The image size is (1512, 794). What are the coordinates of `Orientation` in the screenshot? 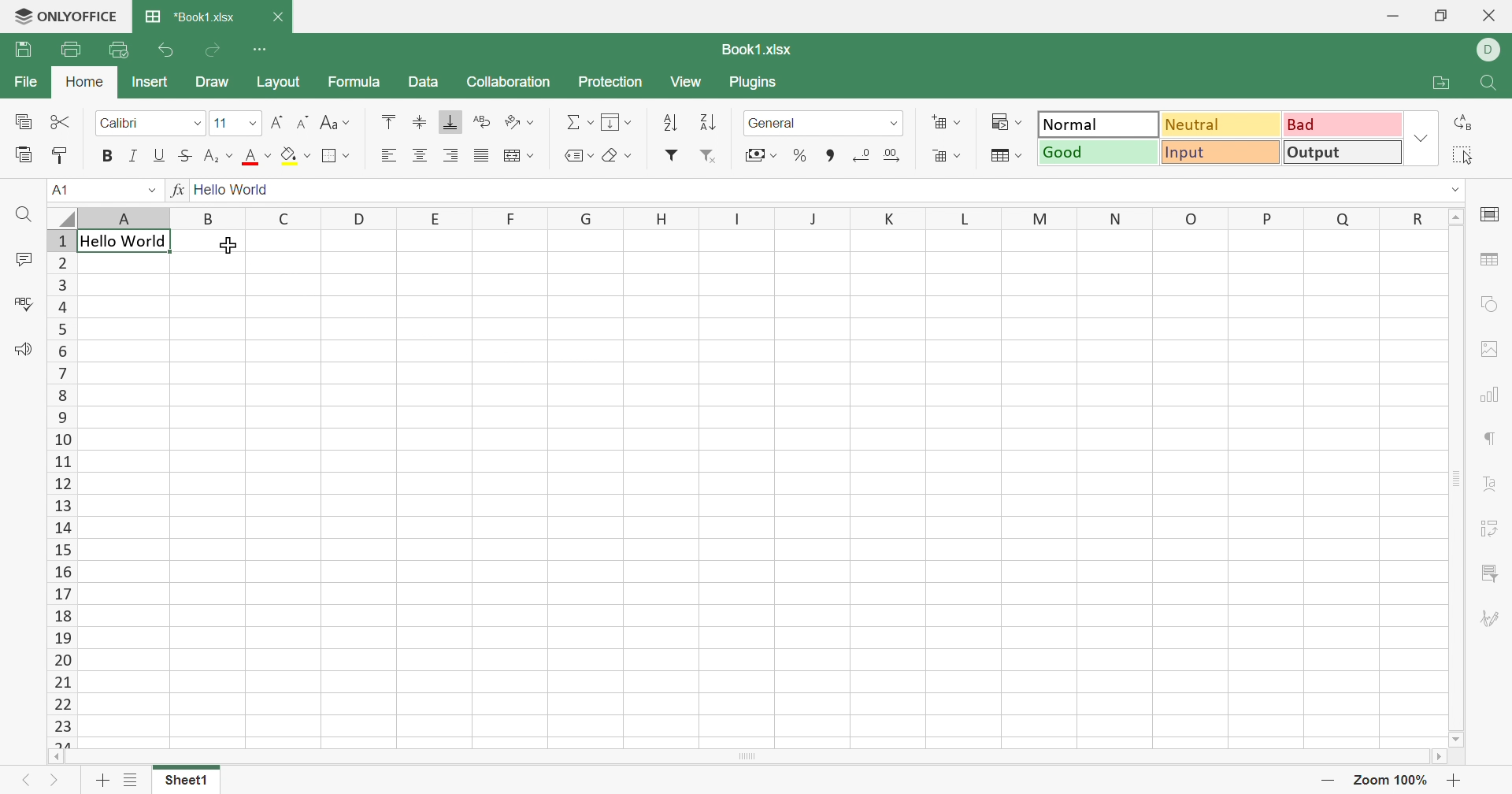 It's located at (514, 122).